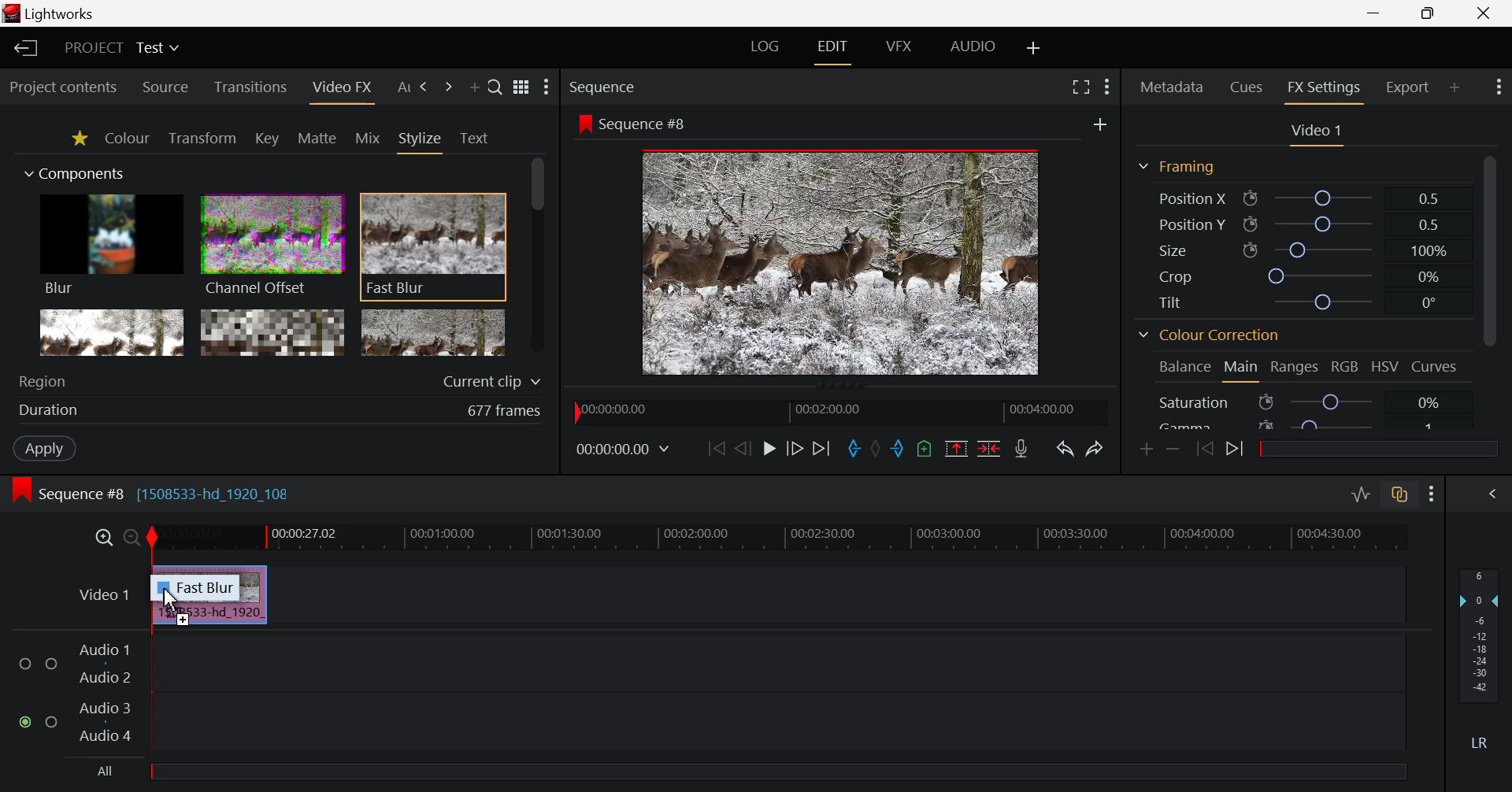 This screenshot has width=1512, height=792. Describe the element at coordinates (206, 587) in the screenshot. I see `Fast Blur` at that location.